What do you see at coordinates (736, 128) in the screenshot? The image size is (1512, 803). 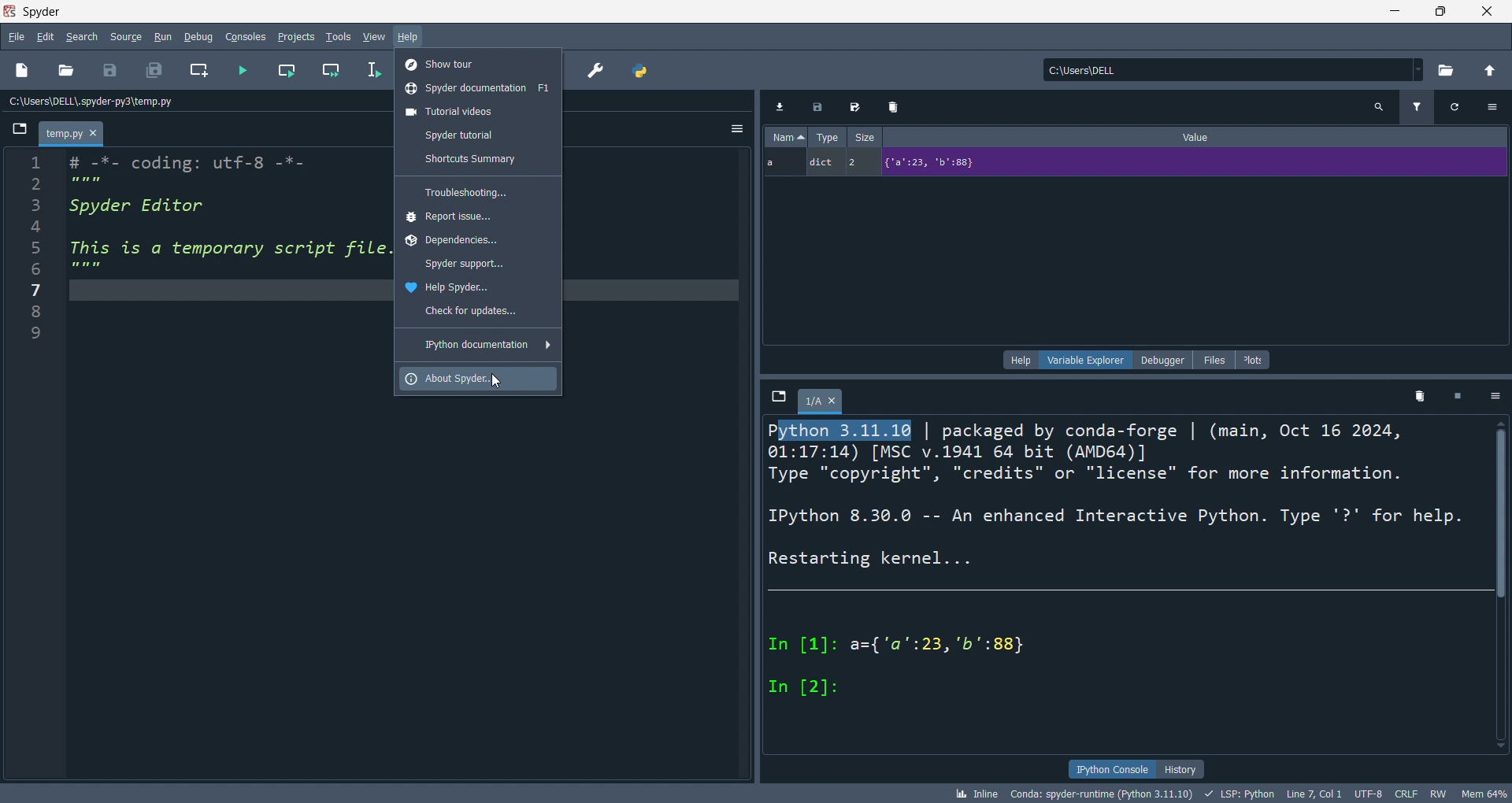 I see `Settings` at bounding box center [736, 128].